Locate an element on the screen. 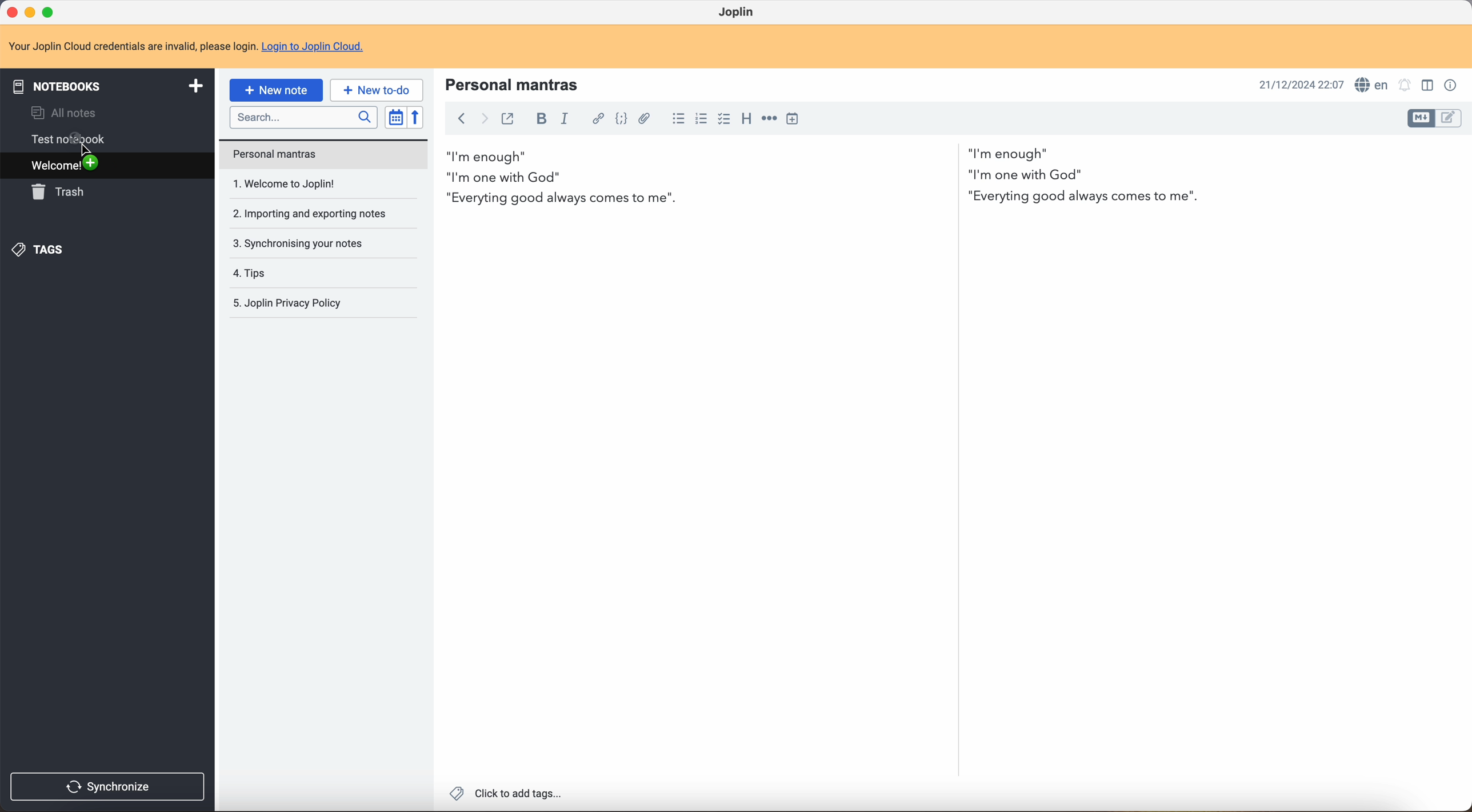 This screenshot has height=812, width=1472. Login to Joplin Cloud is located at coordinates (313, 47).